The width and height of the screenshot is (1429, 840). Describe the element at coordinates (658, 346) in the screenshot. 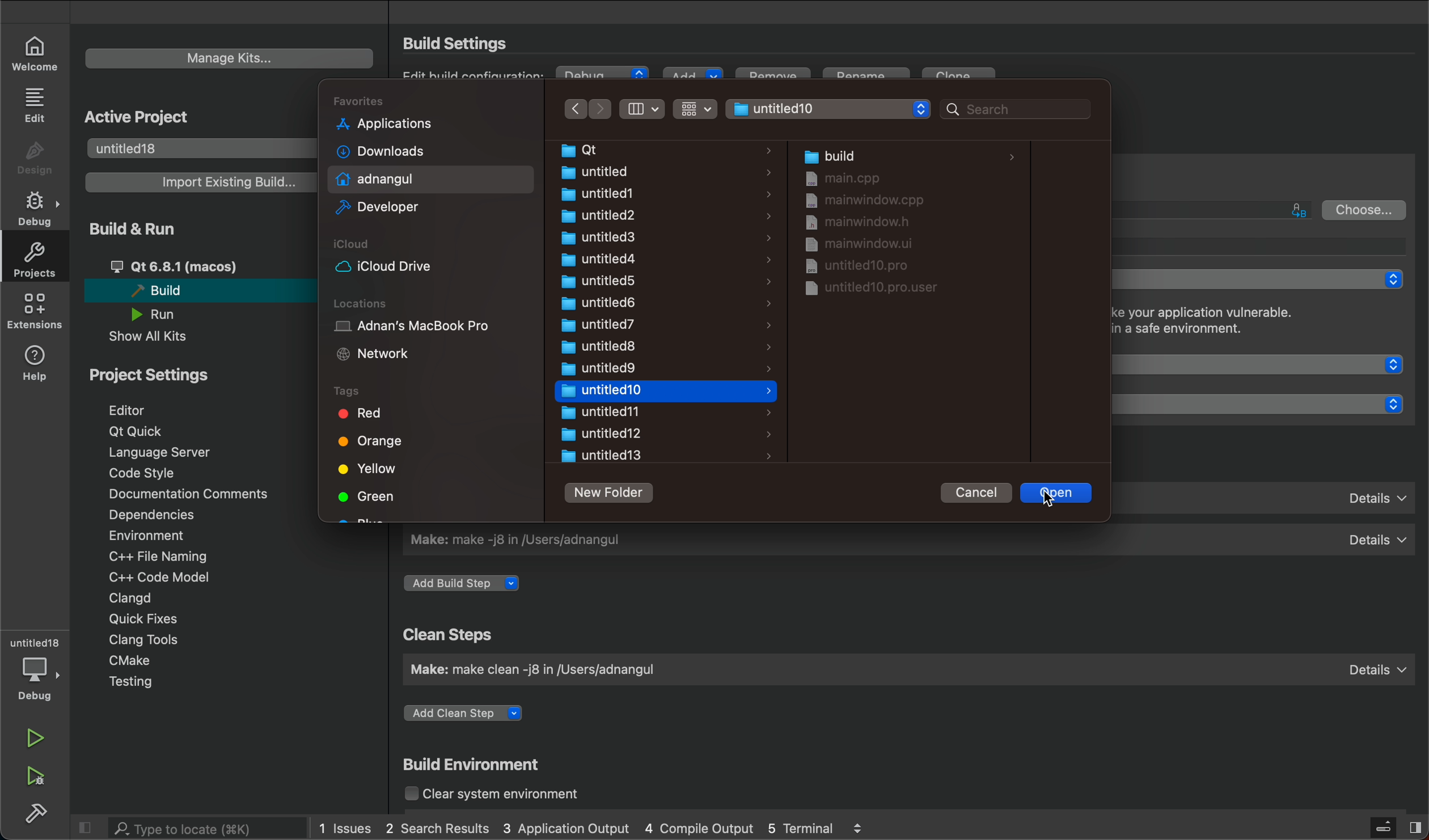

I see `untitled8` at that location.